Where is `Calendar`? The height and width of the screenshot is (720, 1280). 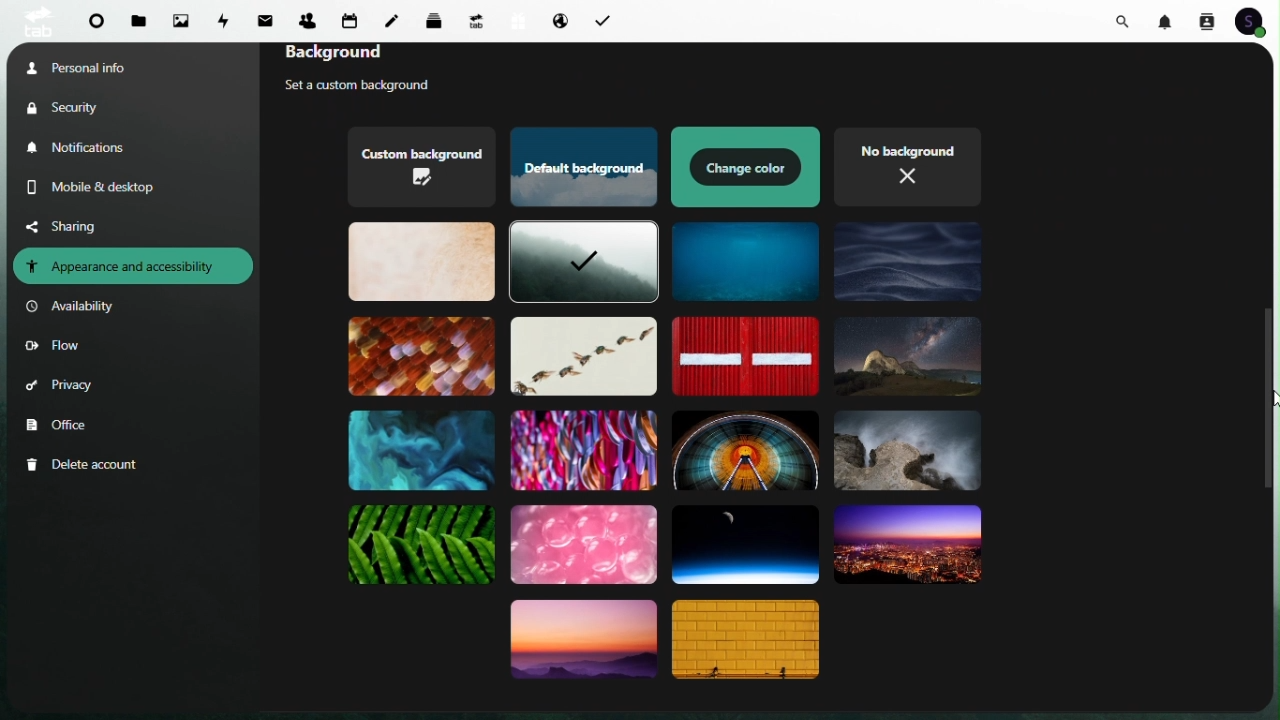
Calendar is located at coordinates (350, 20).